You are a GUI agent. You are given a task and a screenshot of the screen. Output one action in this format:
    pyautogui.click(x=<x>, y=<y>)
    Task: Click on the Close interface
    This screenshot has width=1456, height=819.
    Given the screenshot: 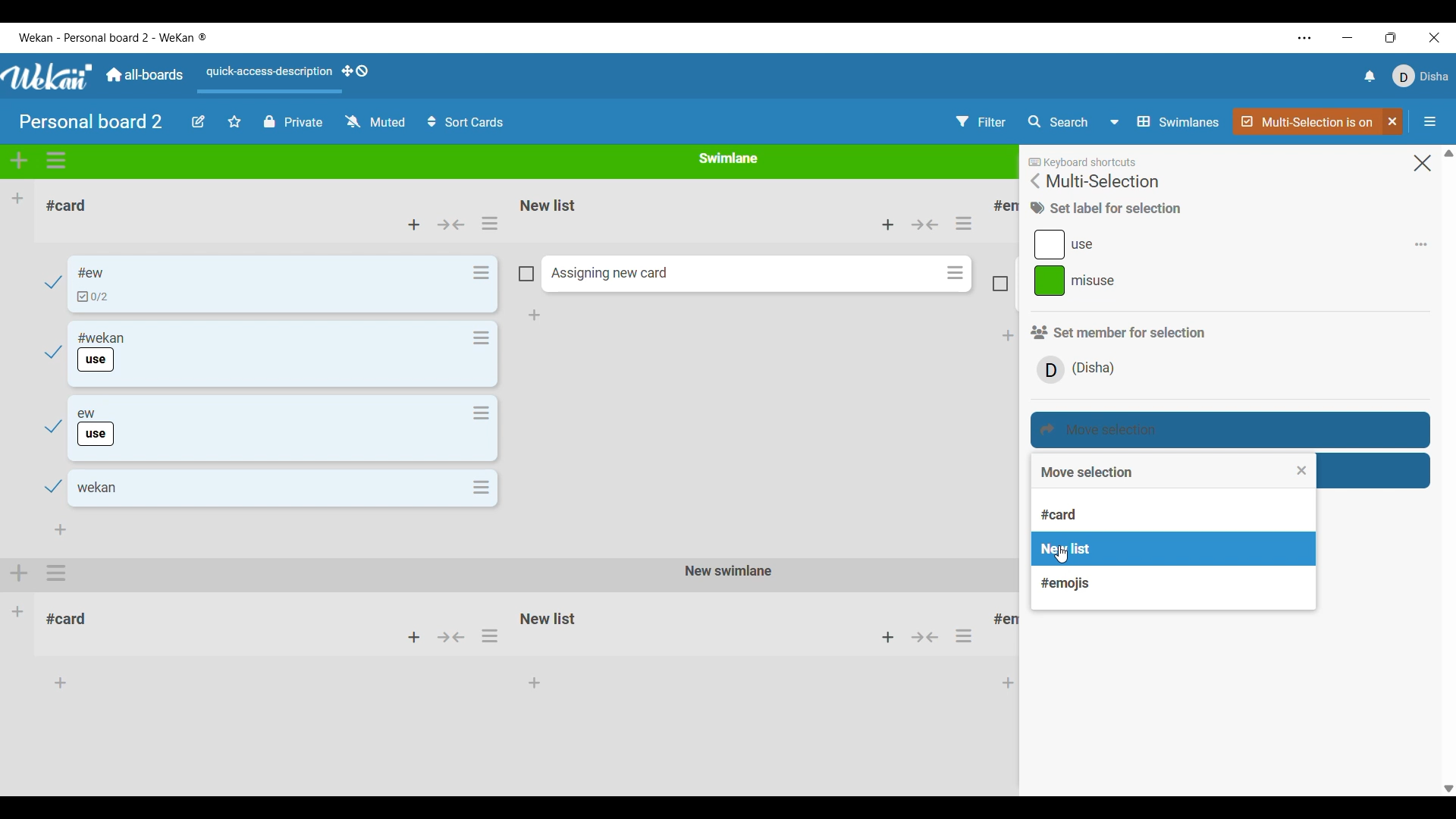 What is the action you would take?
    pyautogui.click(x=1435, y=37)
    